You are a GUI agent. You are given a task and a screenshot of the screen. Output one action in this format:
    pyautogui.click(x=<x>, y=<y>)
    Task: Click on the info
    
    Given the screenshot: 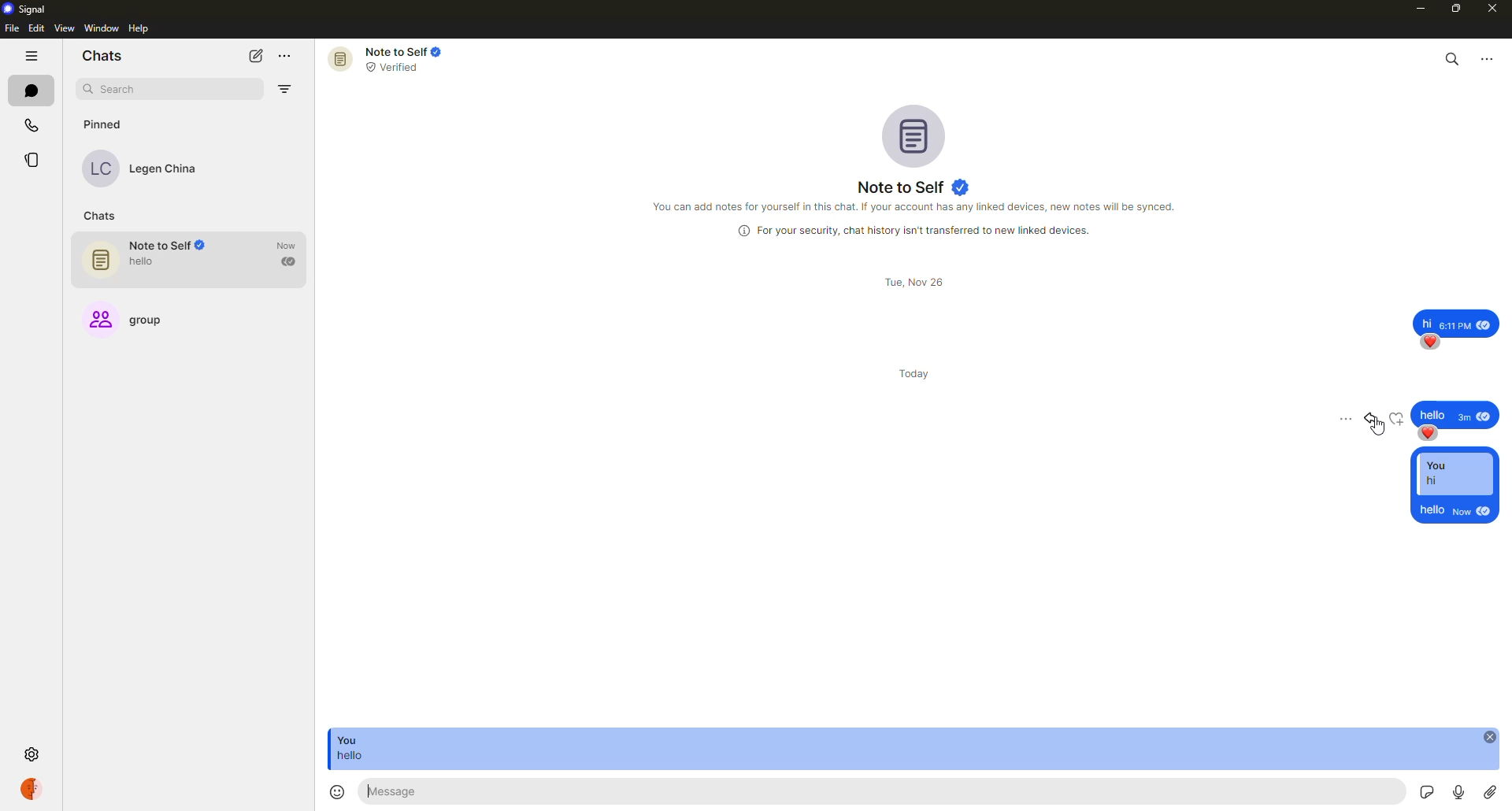 What is the action you would take?
    pyautogui.click(x=919, y=207)
    